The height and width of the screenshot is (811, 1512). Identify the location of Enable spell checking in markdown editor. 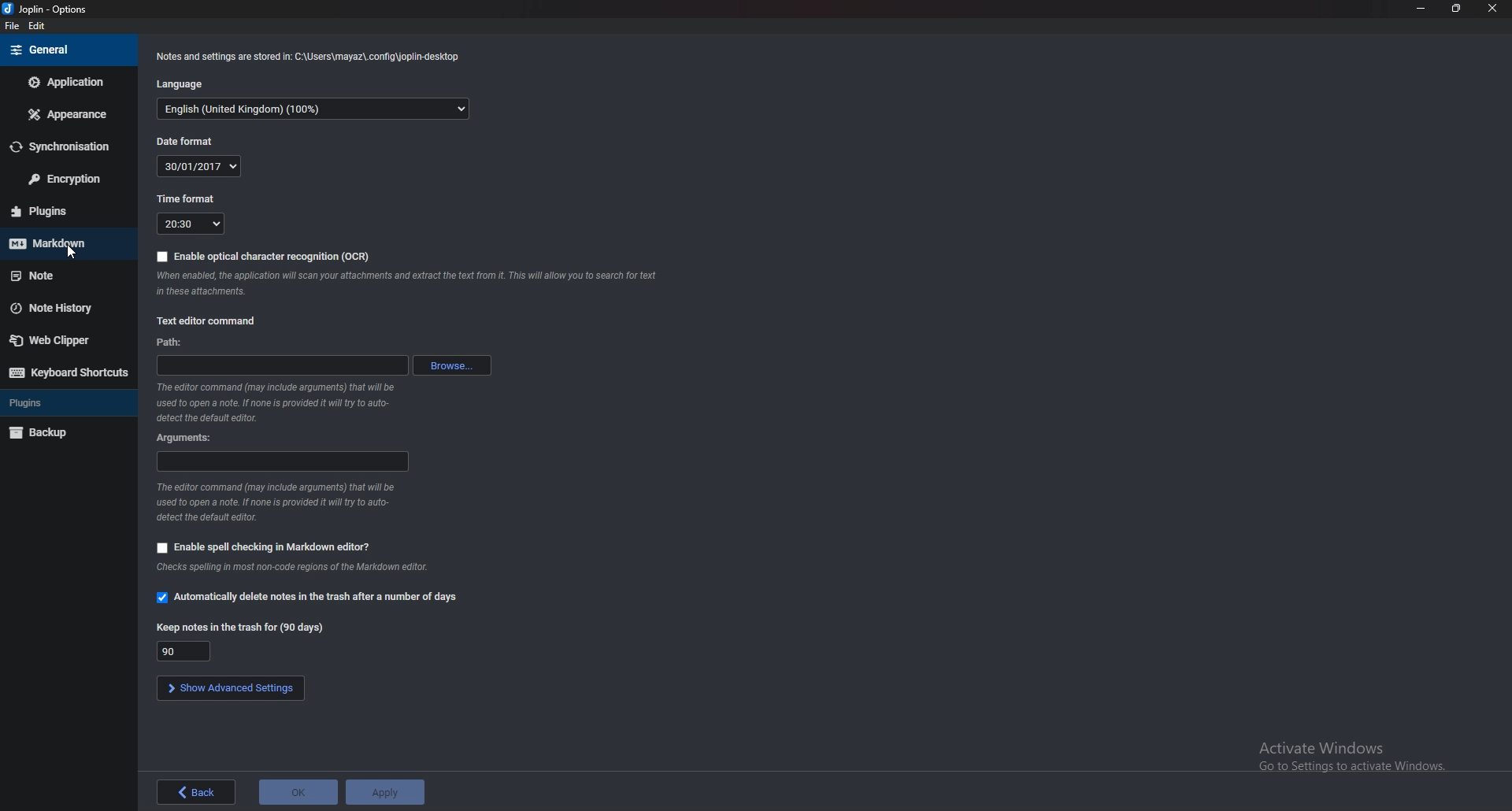
(261, 546).